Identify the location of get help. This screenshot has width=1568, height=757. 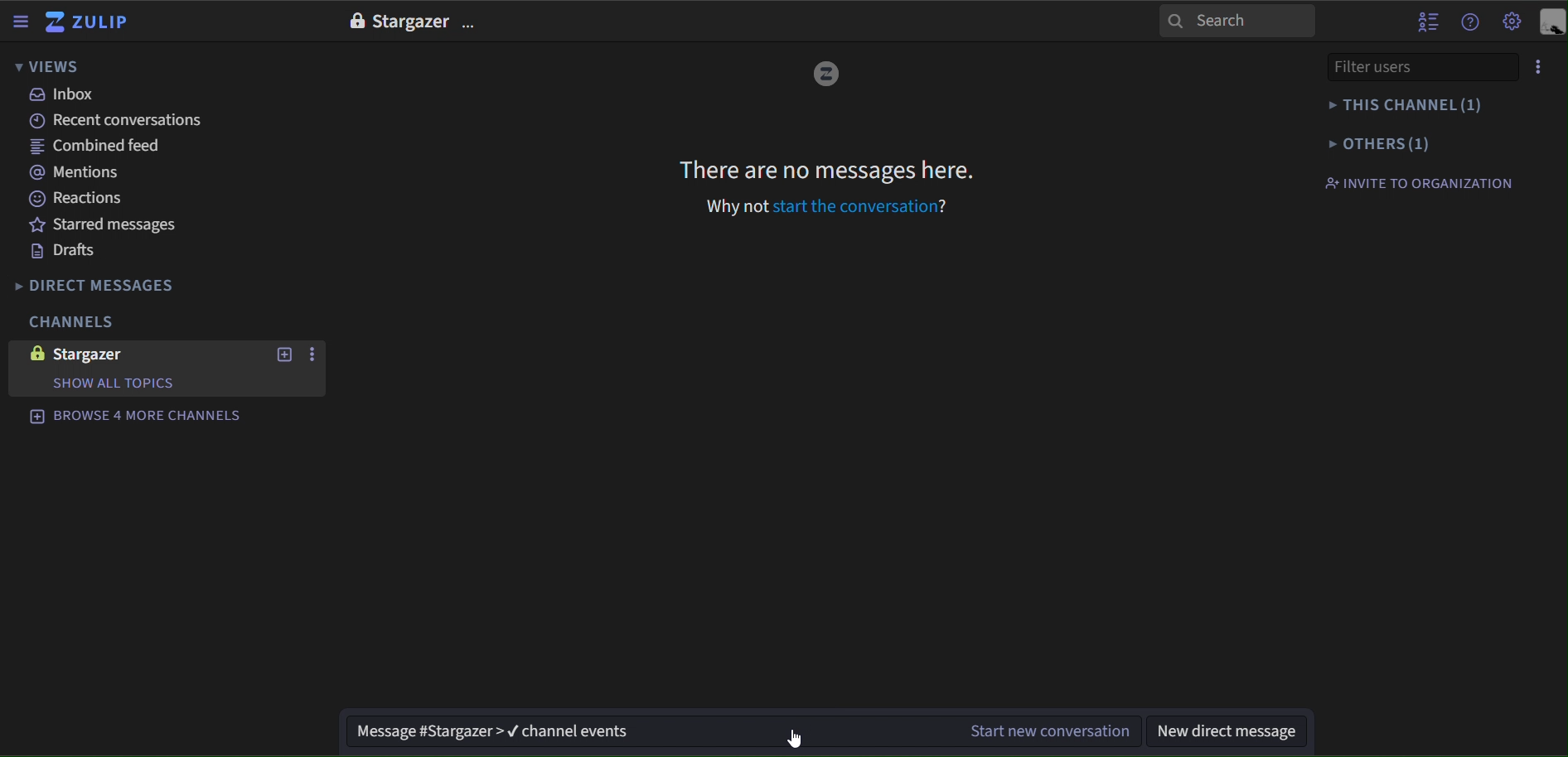
(1471, 22).